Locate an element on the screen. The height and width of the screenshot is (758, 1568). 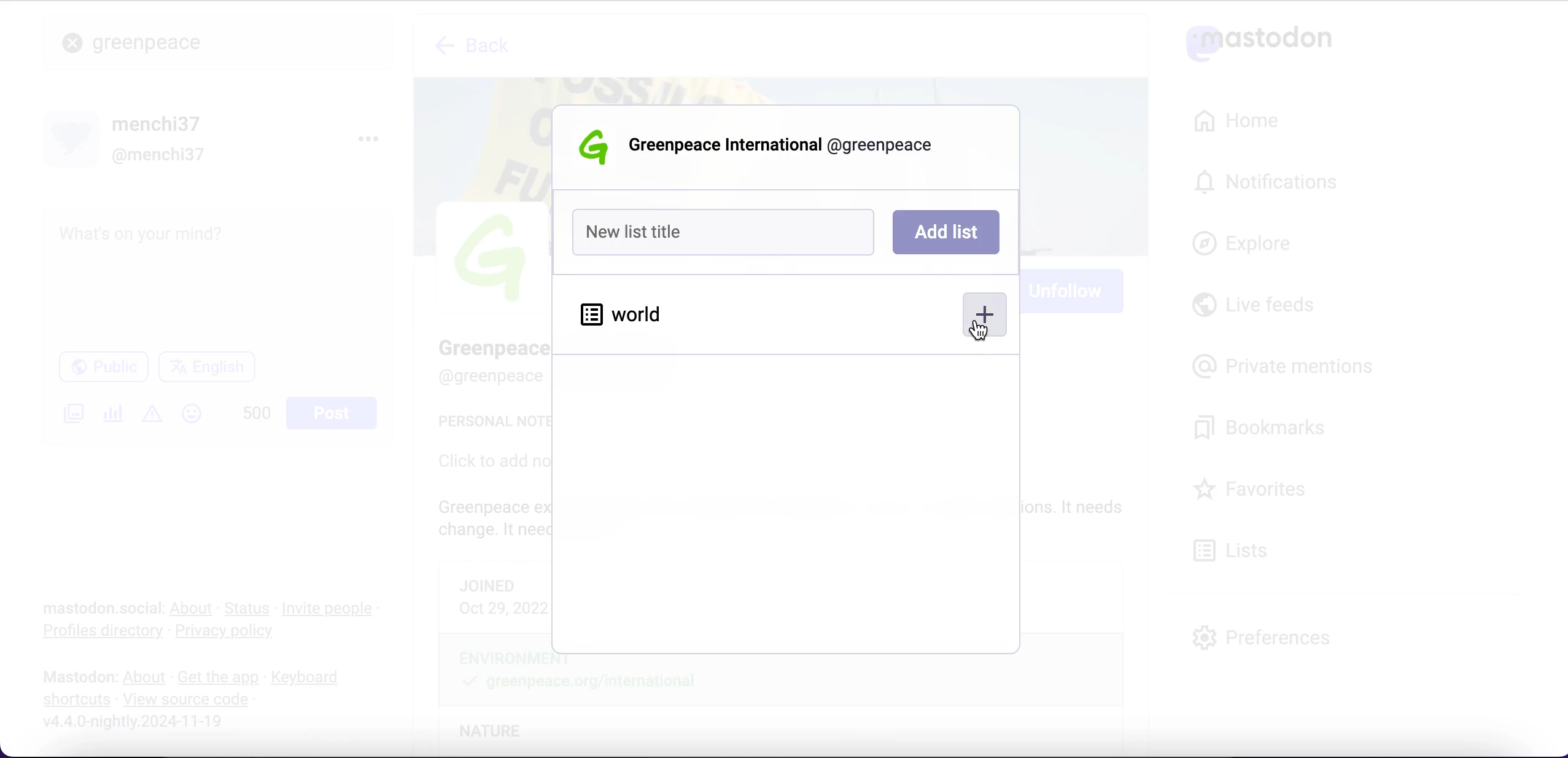
close is located at coordinates (72, 44).